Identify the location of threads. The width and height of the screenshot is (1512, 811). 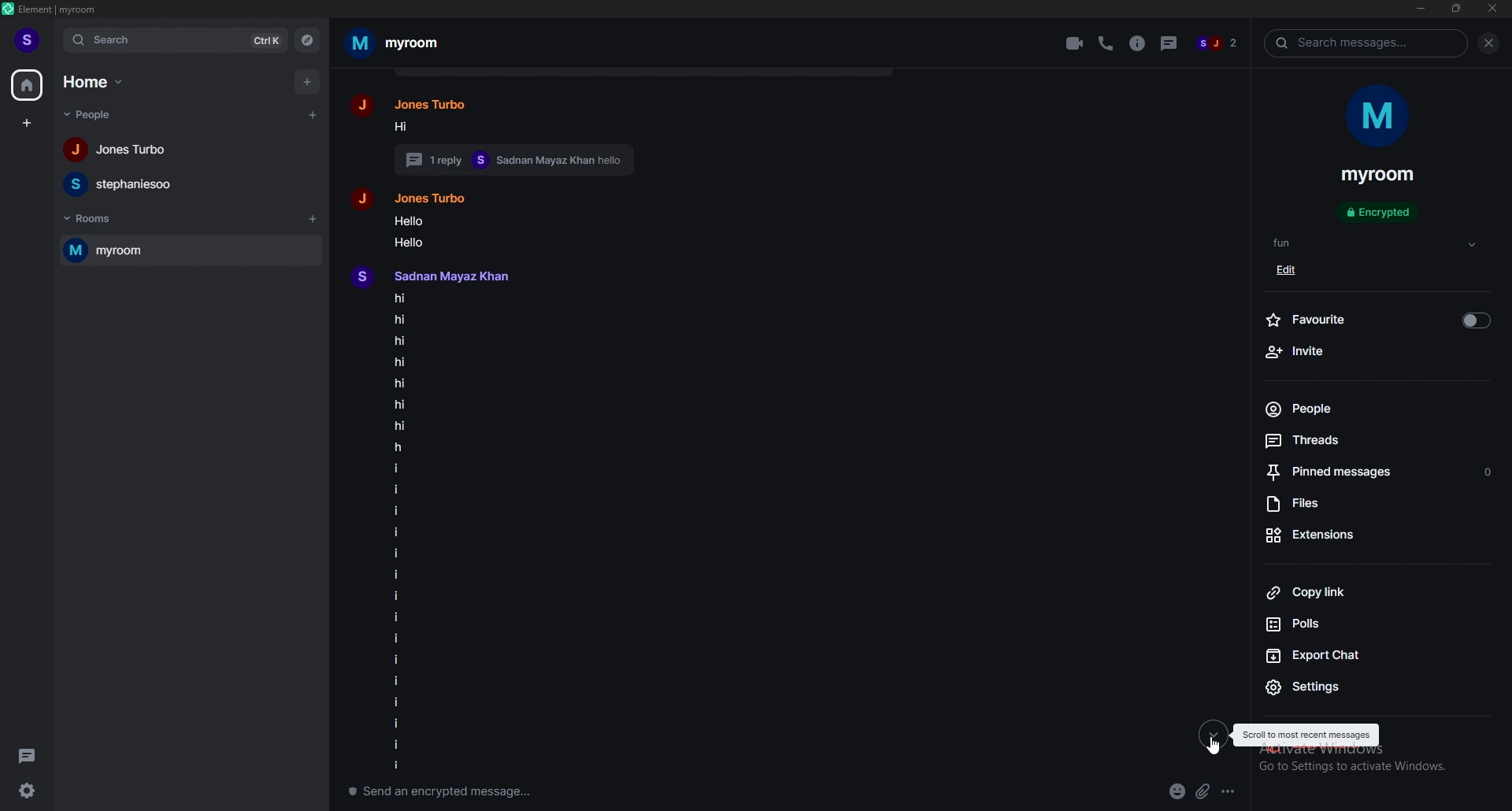
(27, 756).